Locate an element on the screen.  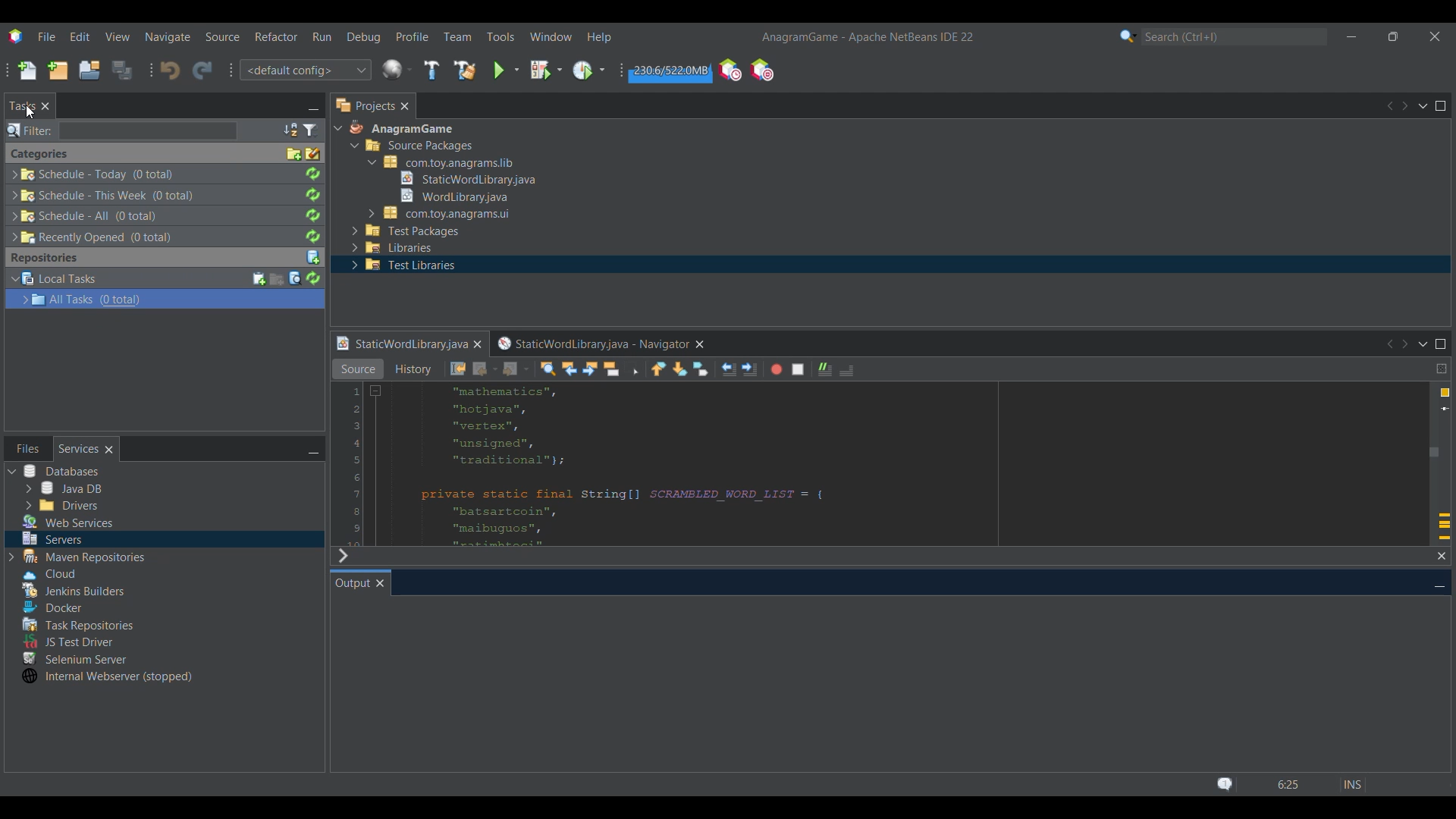
New project is located at coordinates (57, 71).